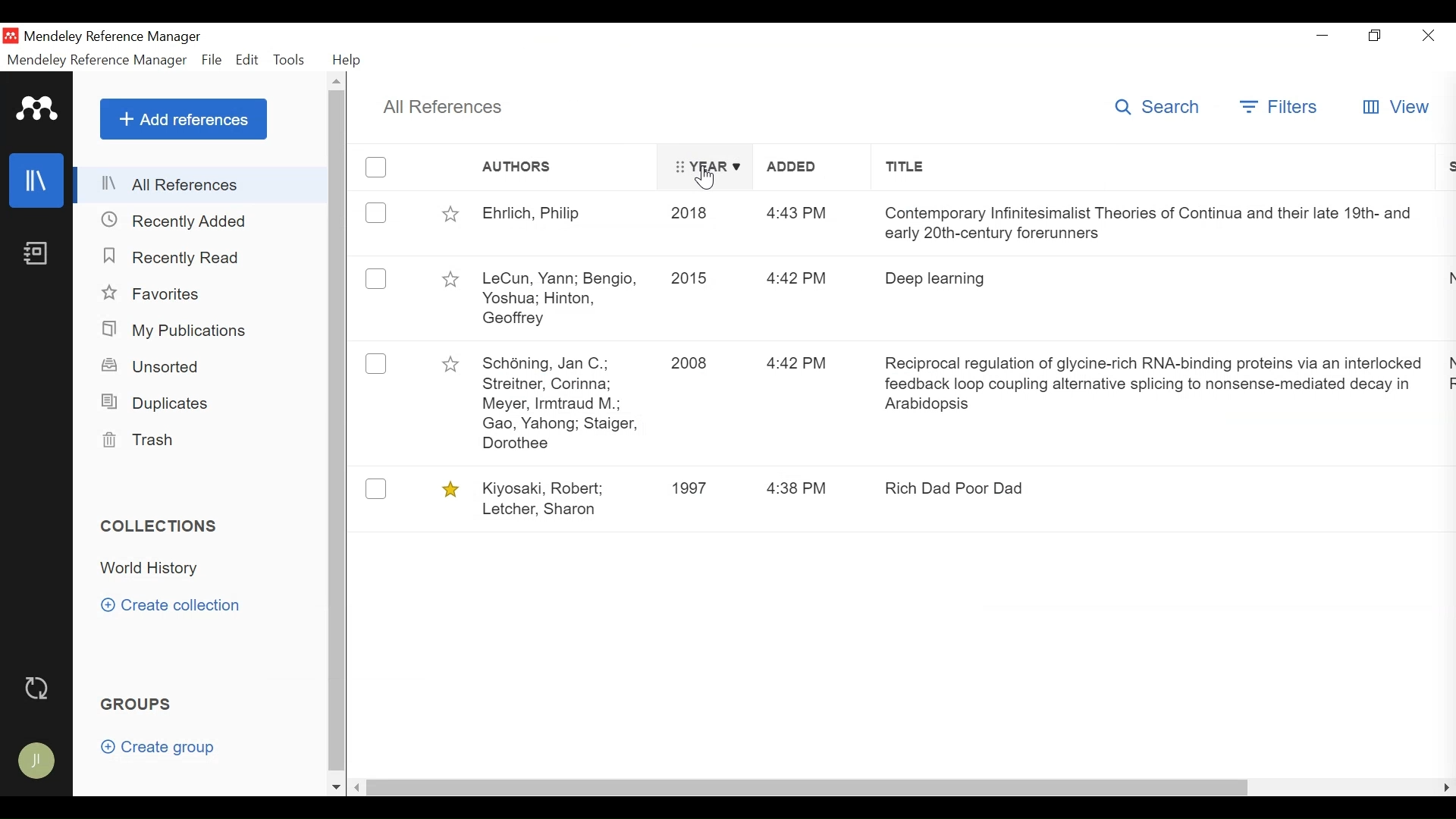 Image resolution: width=1456 pixels, height=819 pixels. I want to click on Select, so click(375, 364).